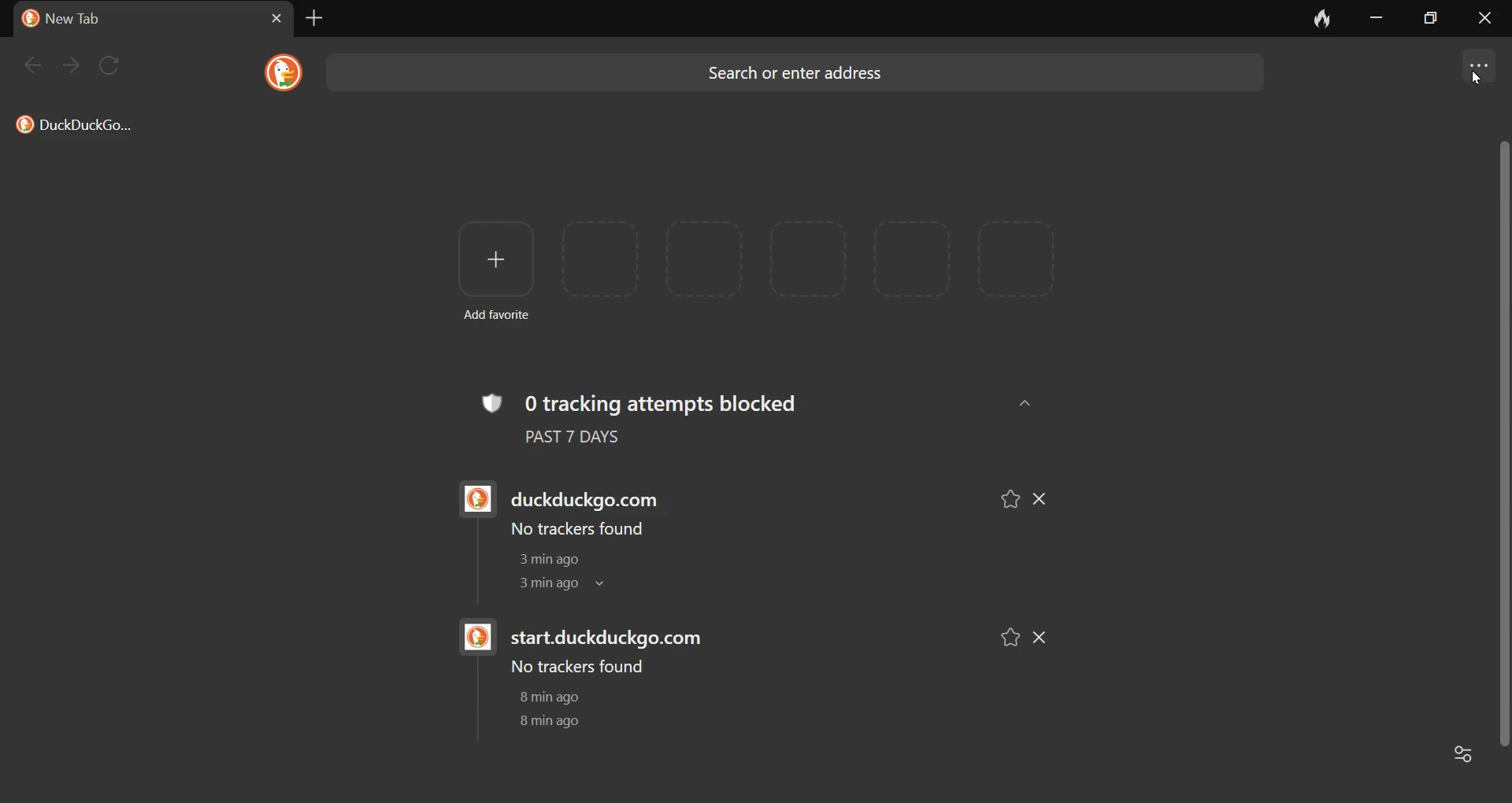  What do you see at coordinates (578, 667) in the screenshot?
I see `No trackers found` at bounding box center [578, 667].